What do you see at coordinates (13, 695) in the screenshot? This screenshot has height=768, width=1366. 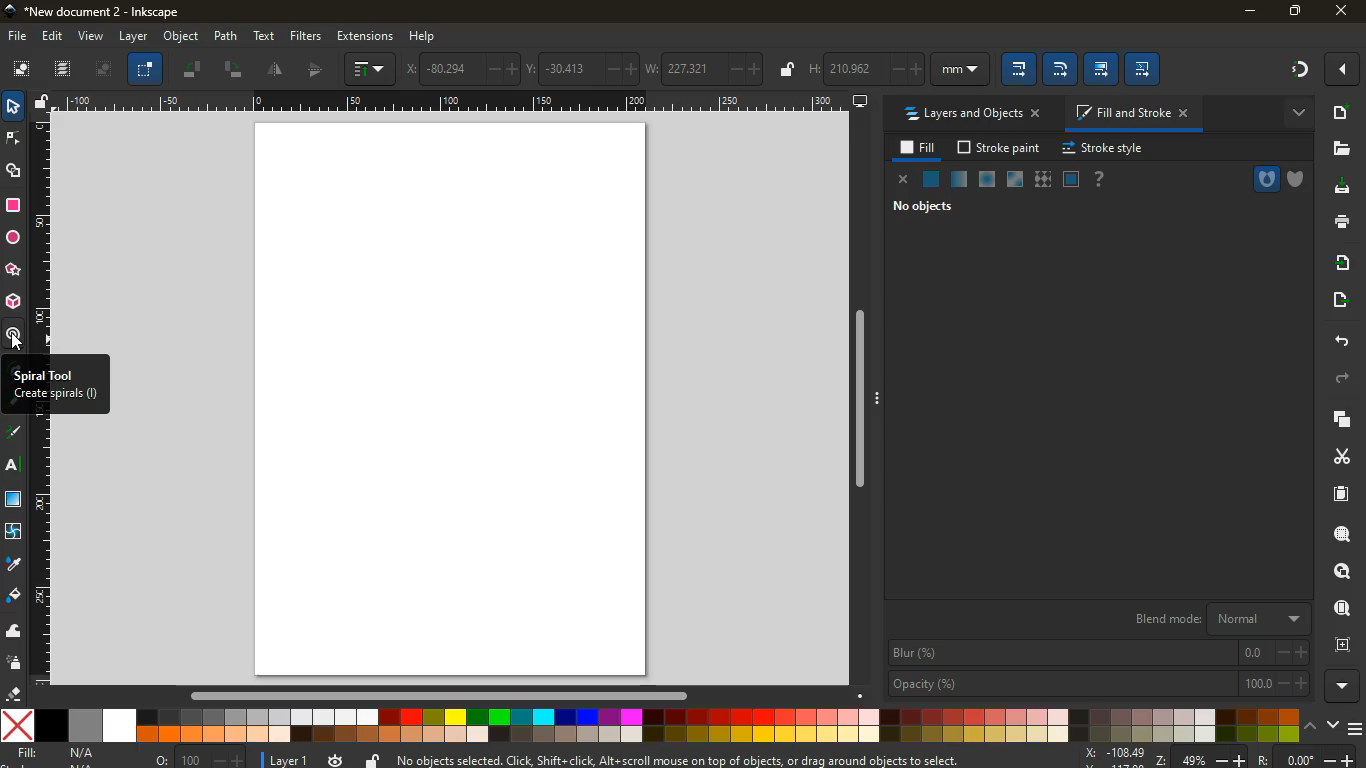 I see `eraser` at bounding box center [13, 695].